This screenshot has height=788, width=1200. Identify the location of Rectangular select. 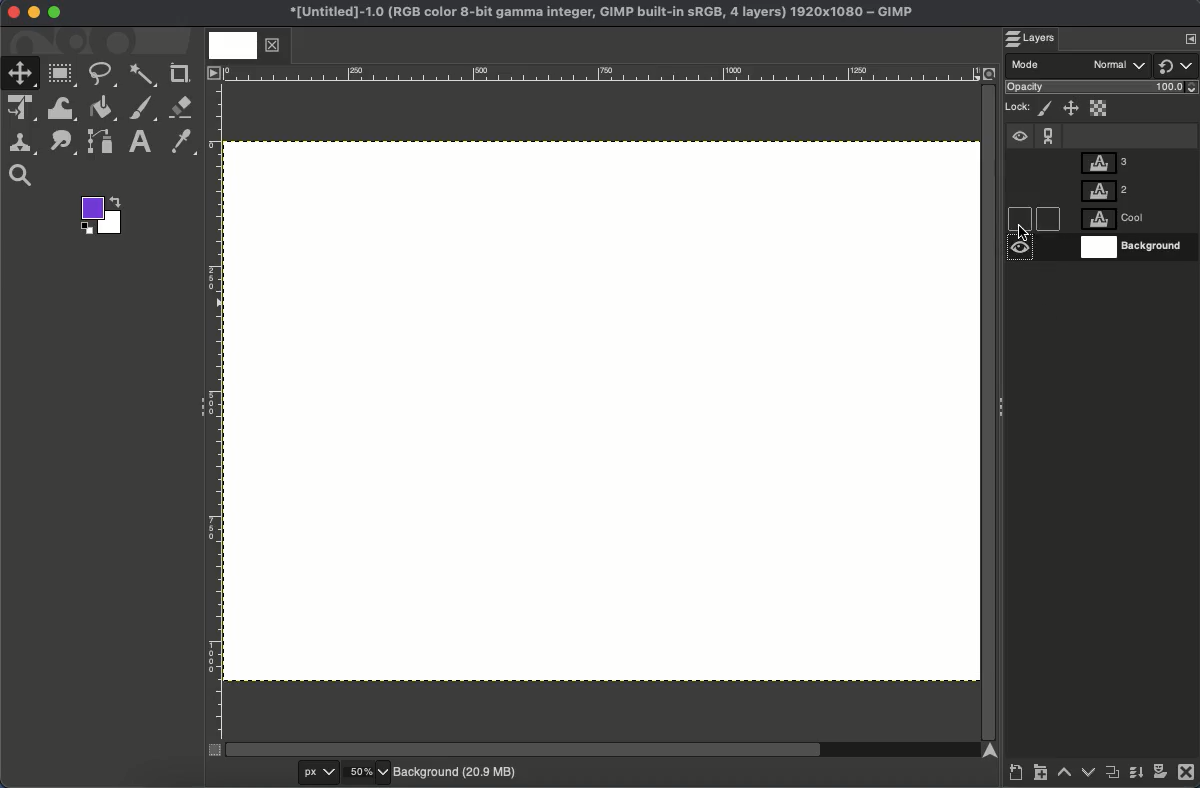
(63, 74).